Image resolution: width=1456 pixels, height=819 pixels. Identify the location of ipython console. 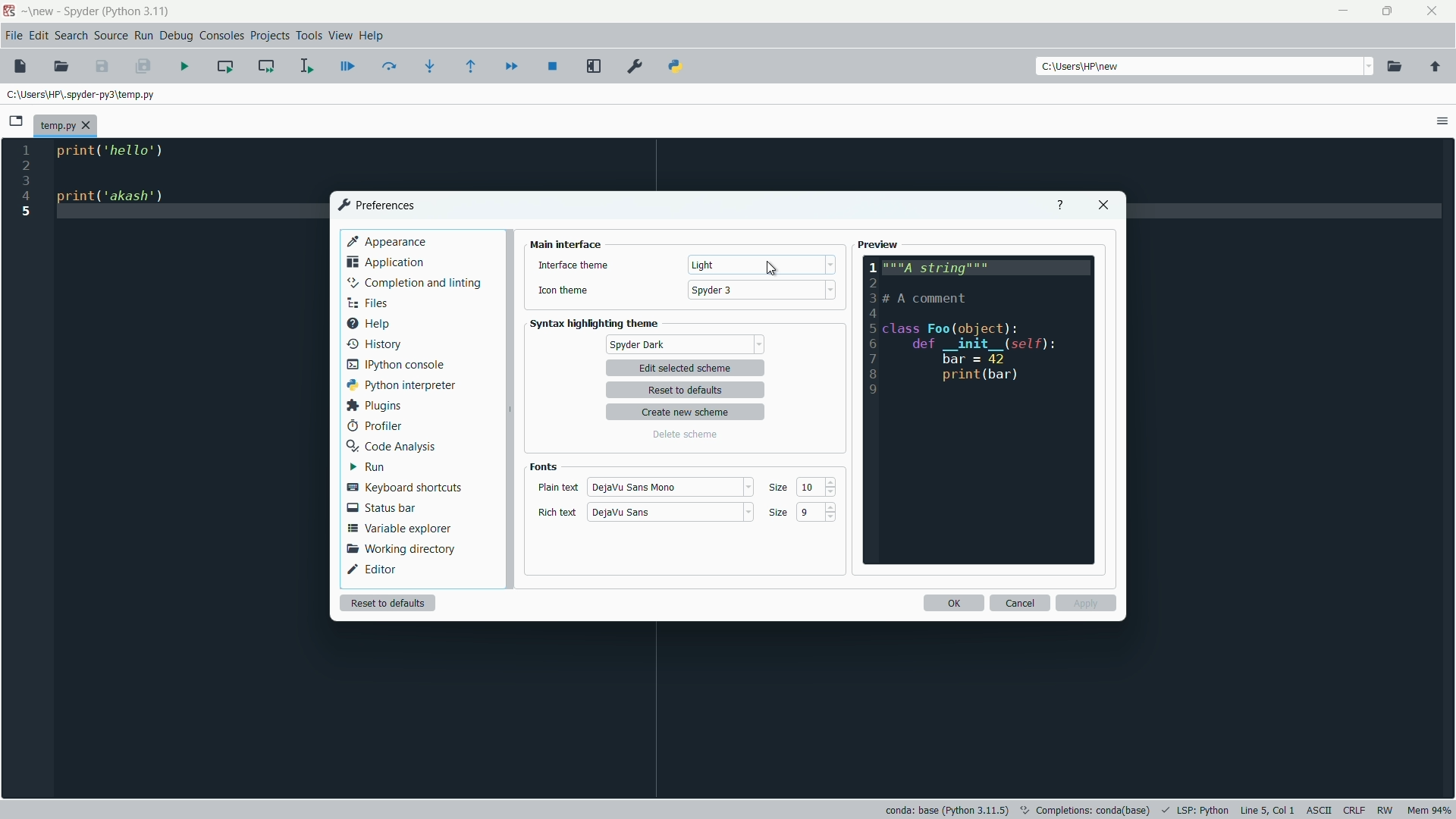
(396, 363).